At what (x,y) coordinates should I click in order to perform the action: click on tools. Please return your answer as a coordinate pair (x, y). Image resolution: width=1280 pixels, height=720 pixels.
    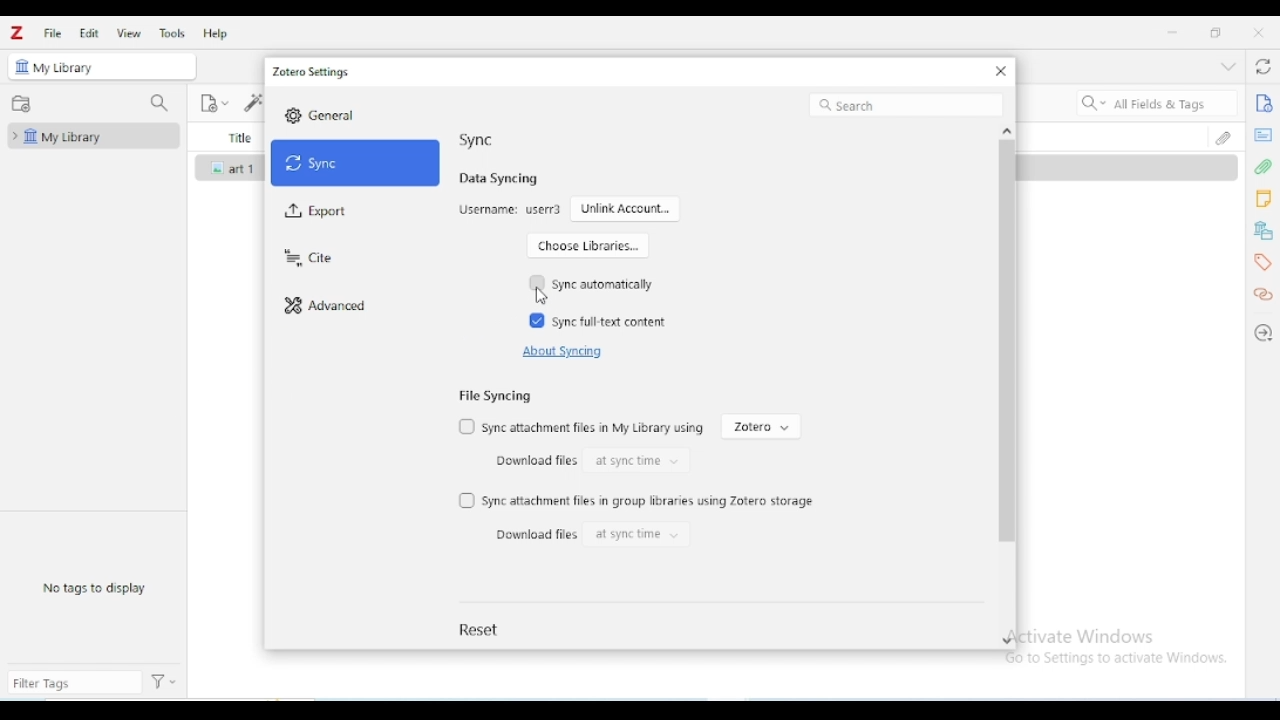
    Looking at the image, I should click on (171, 33).